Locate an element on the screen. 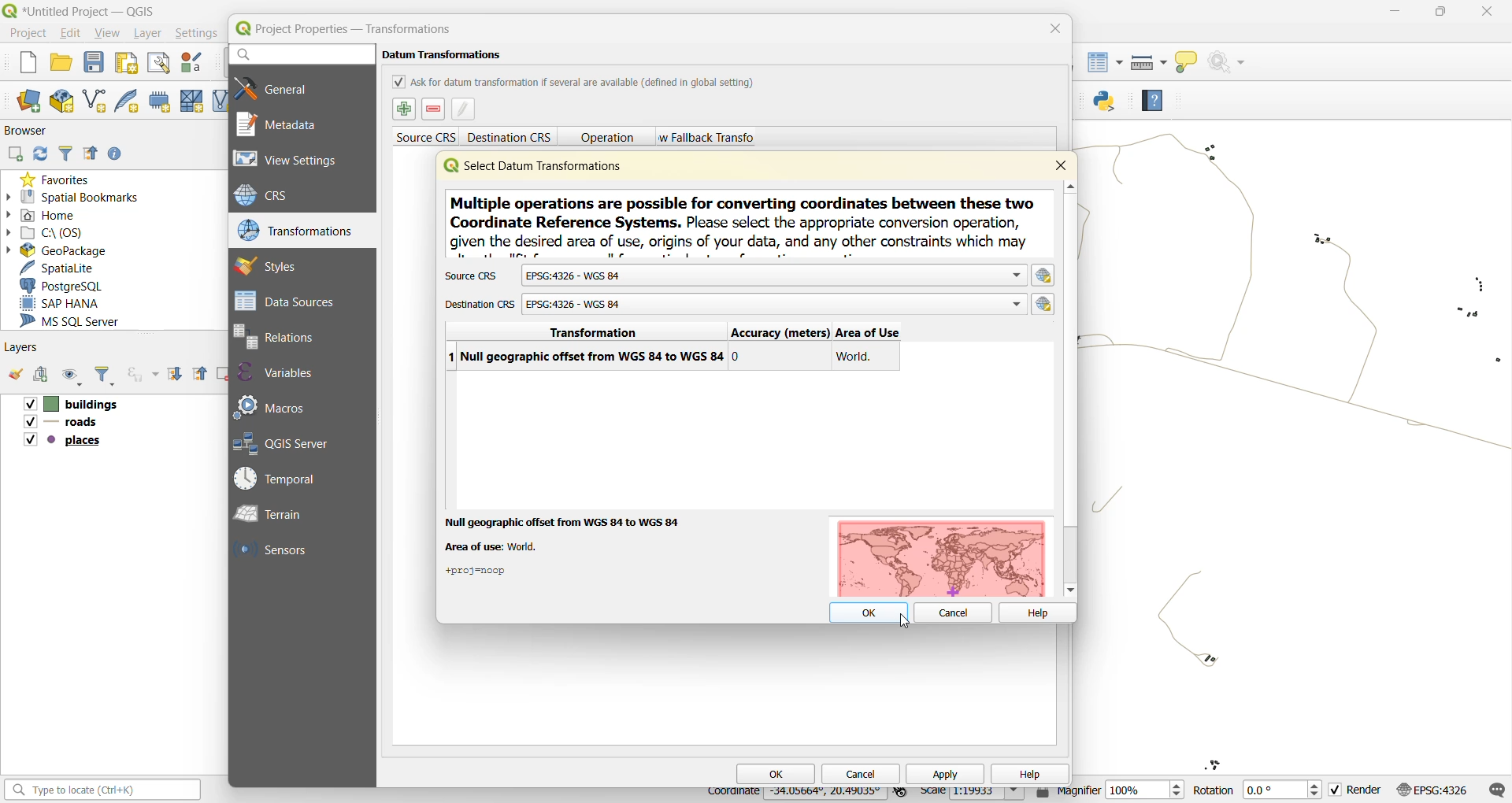 The image size is (1512, 803). home is located at coordinates (49, 215).